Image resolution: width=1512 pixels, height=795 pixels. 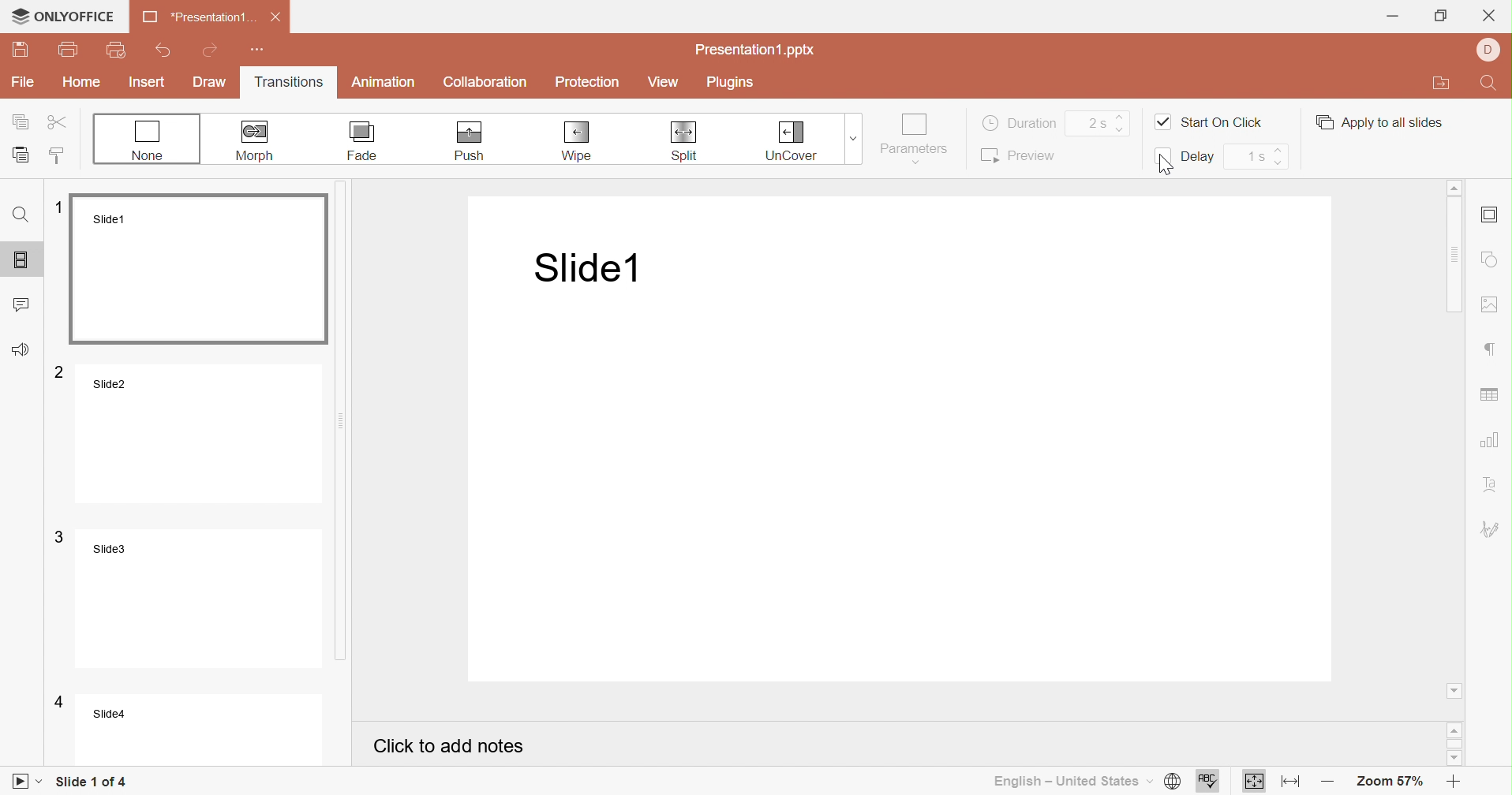 I want to click on Uncover, so click(x=795, y=140).